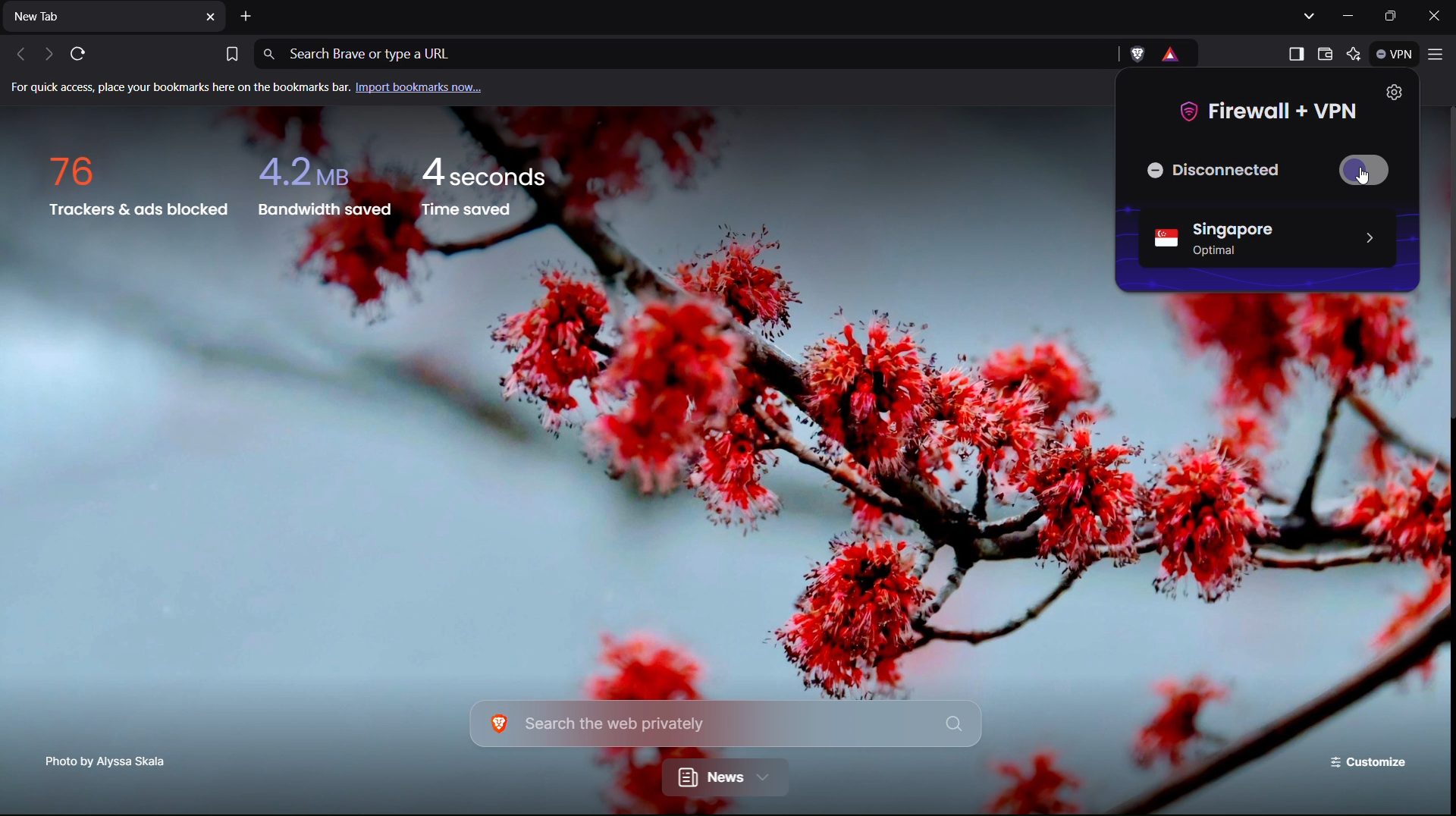  I want to click on Wallet, so click(1326, 54).